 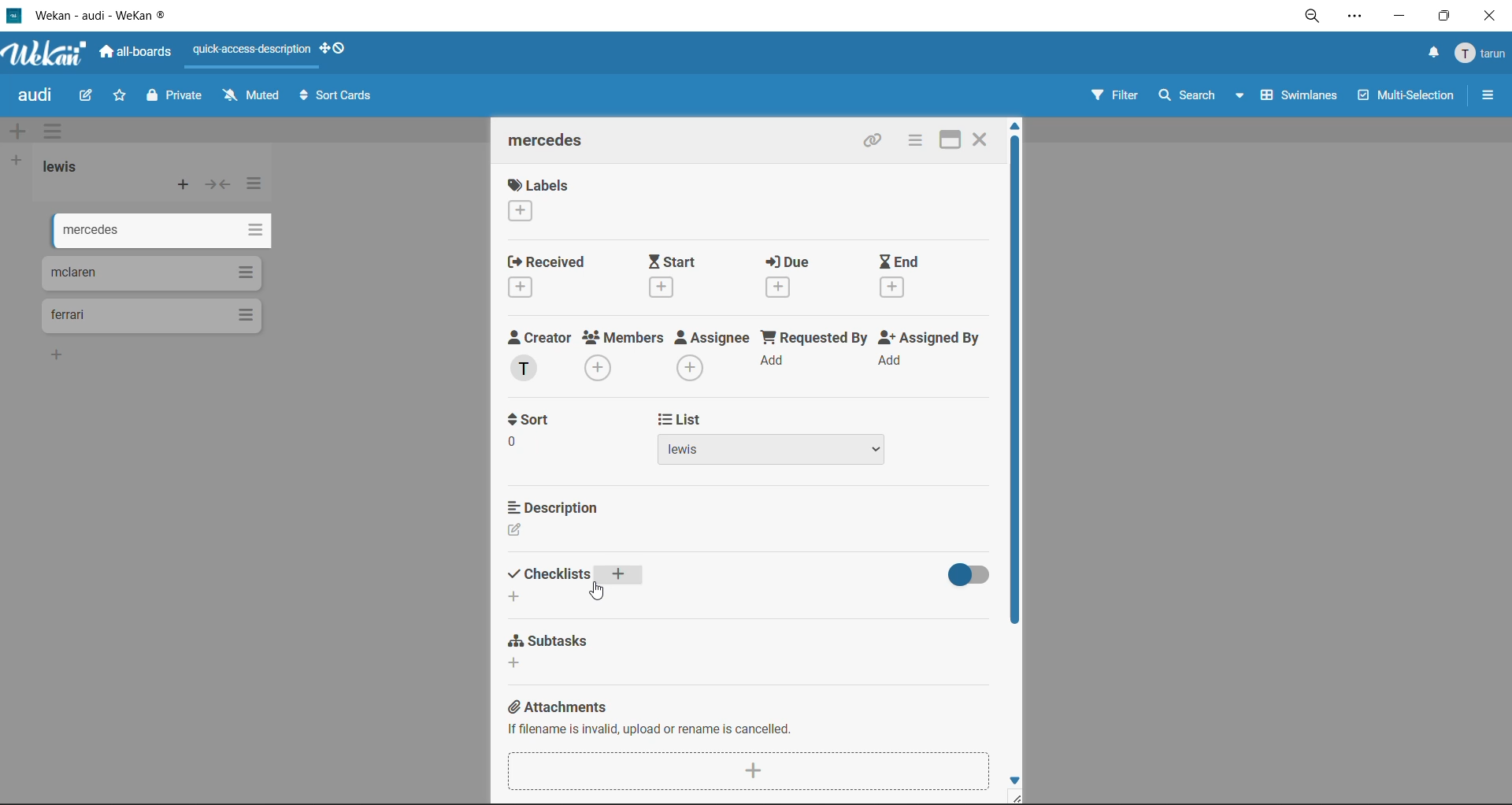 I want to click on checklist, so click(x=580, y=584).